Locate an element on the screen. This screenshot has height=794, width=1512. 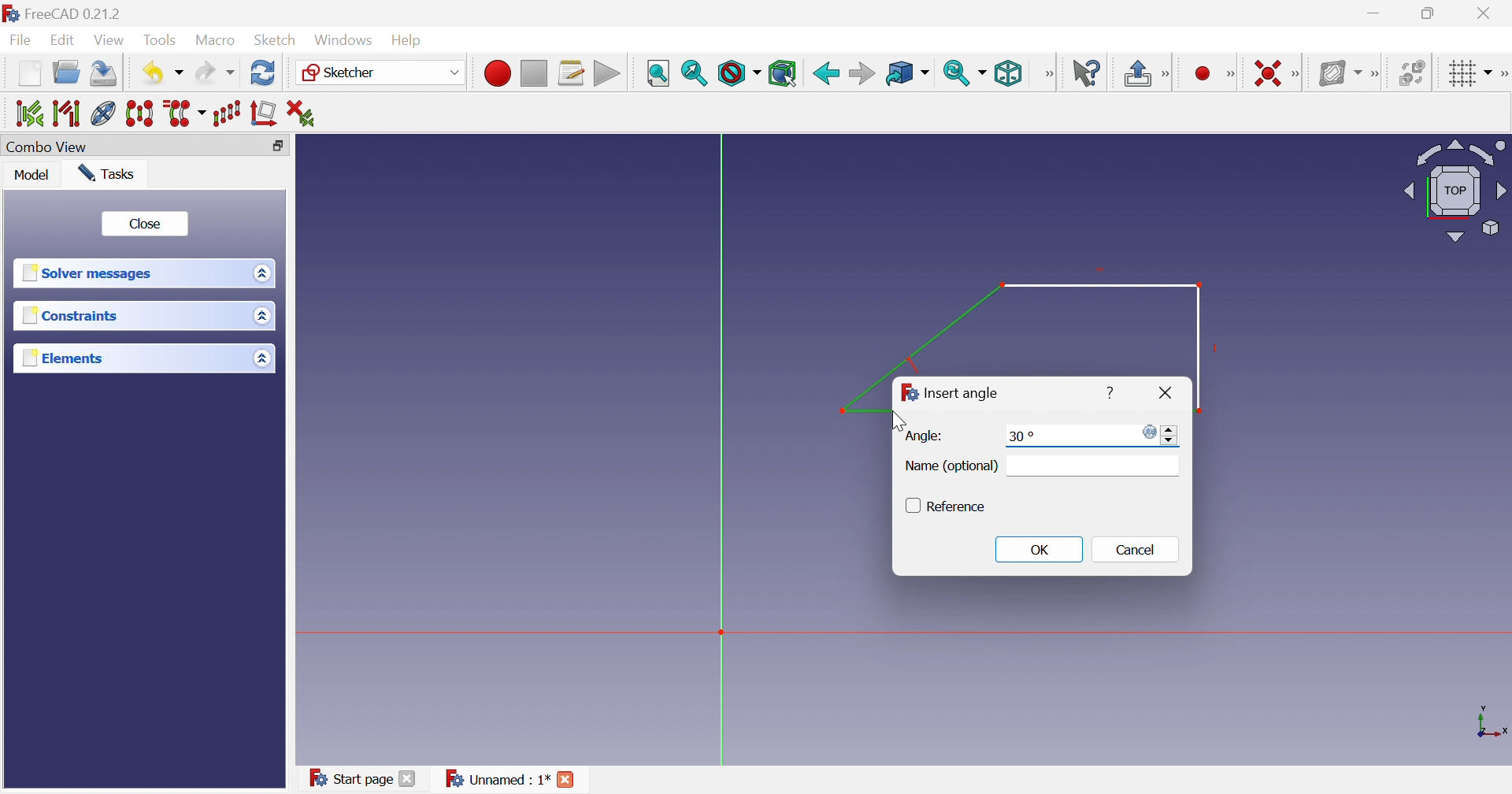
Cursor is located at coordinates (899, 419).